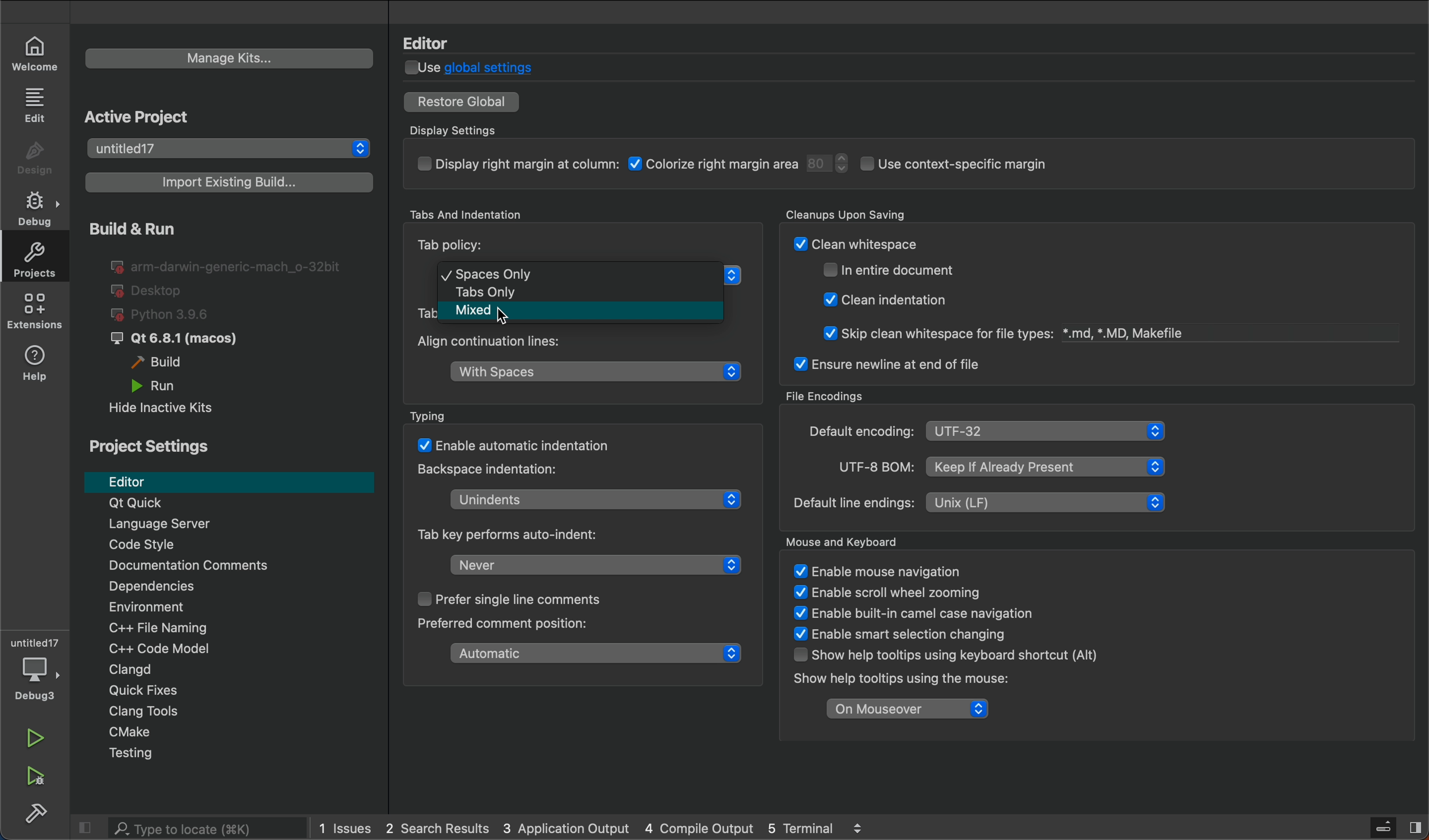 This screenshot has height=840, width=1429. What do you see at coordinates (171, 364) in the screenshot?
I see `build ` at bounding box center [171, 364].